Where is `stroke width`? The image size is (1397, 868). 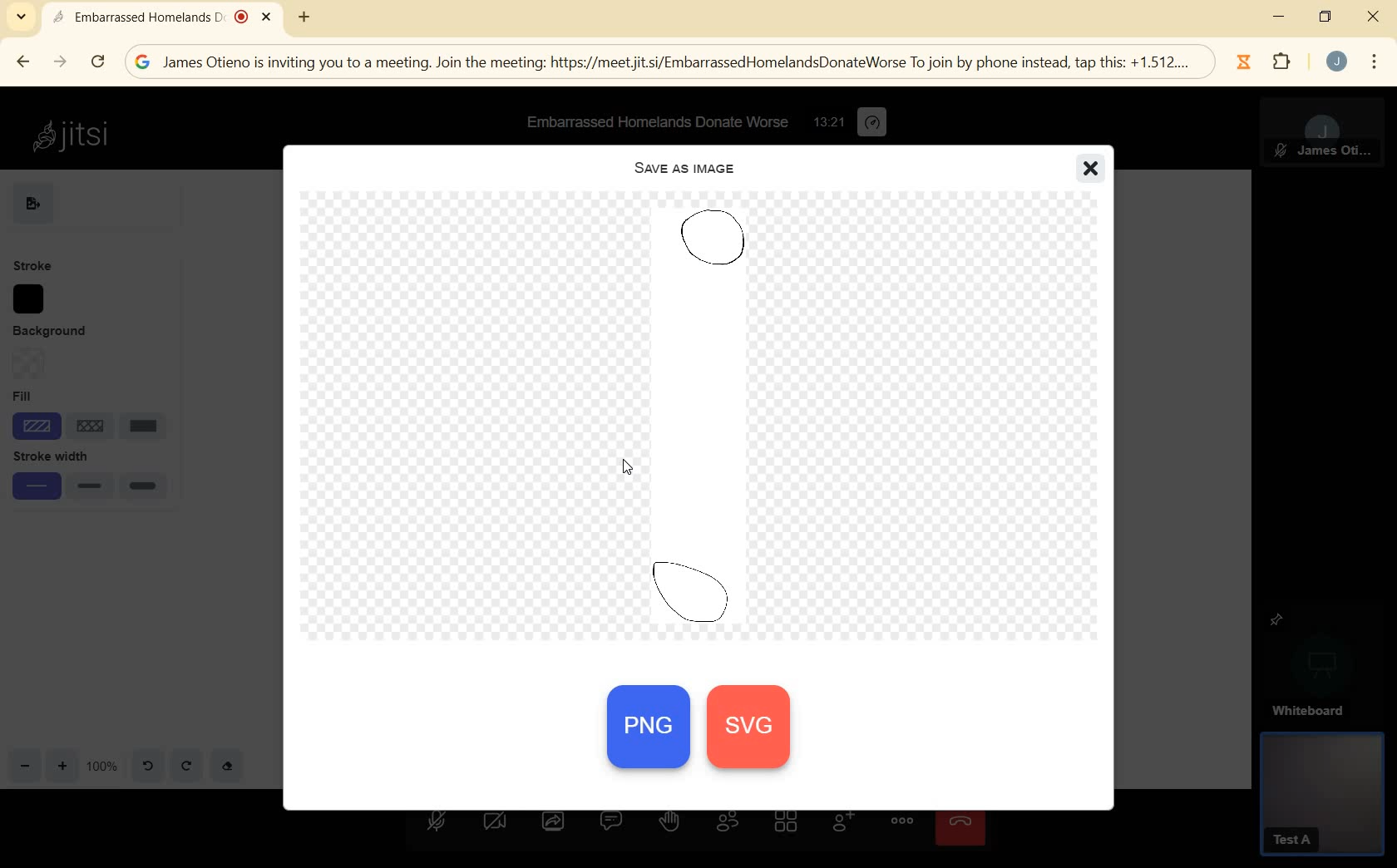 stroke width is located at coordinates (89, 458).